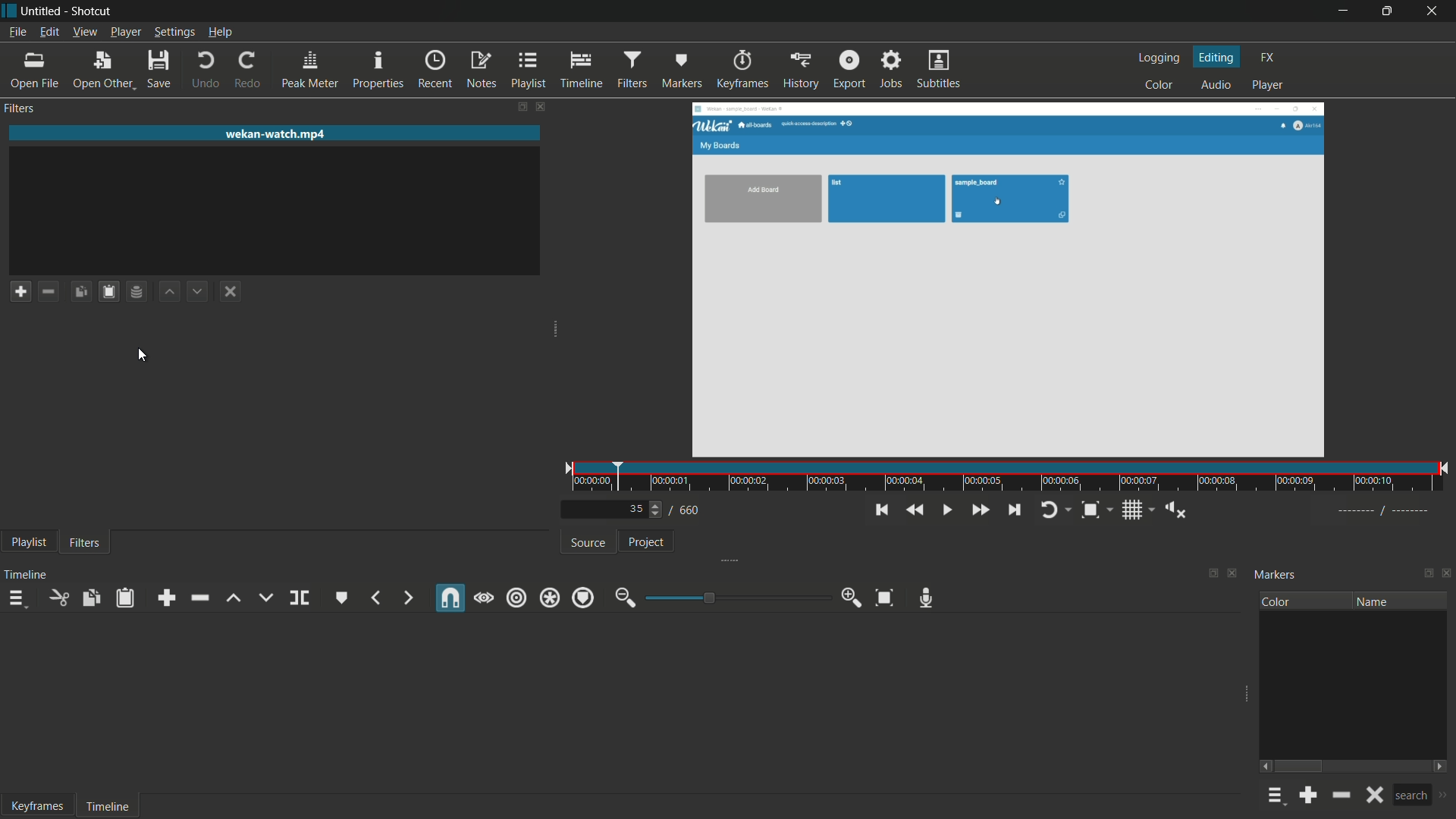 The height and width of the screenshot is (819, 1456). I want to click on record audio, so click(926, 598).